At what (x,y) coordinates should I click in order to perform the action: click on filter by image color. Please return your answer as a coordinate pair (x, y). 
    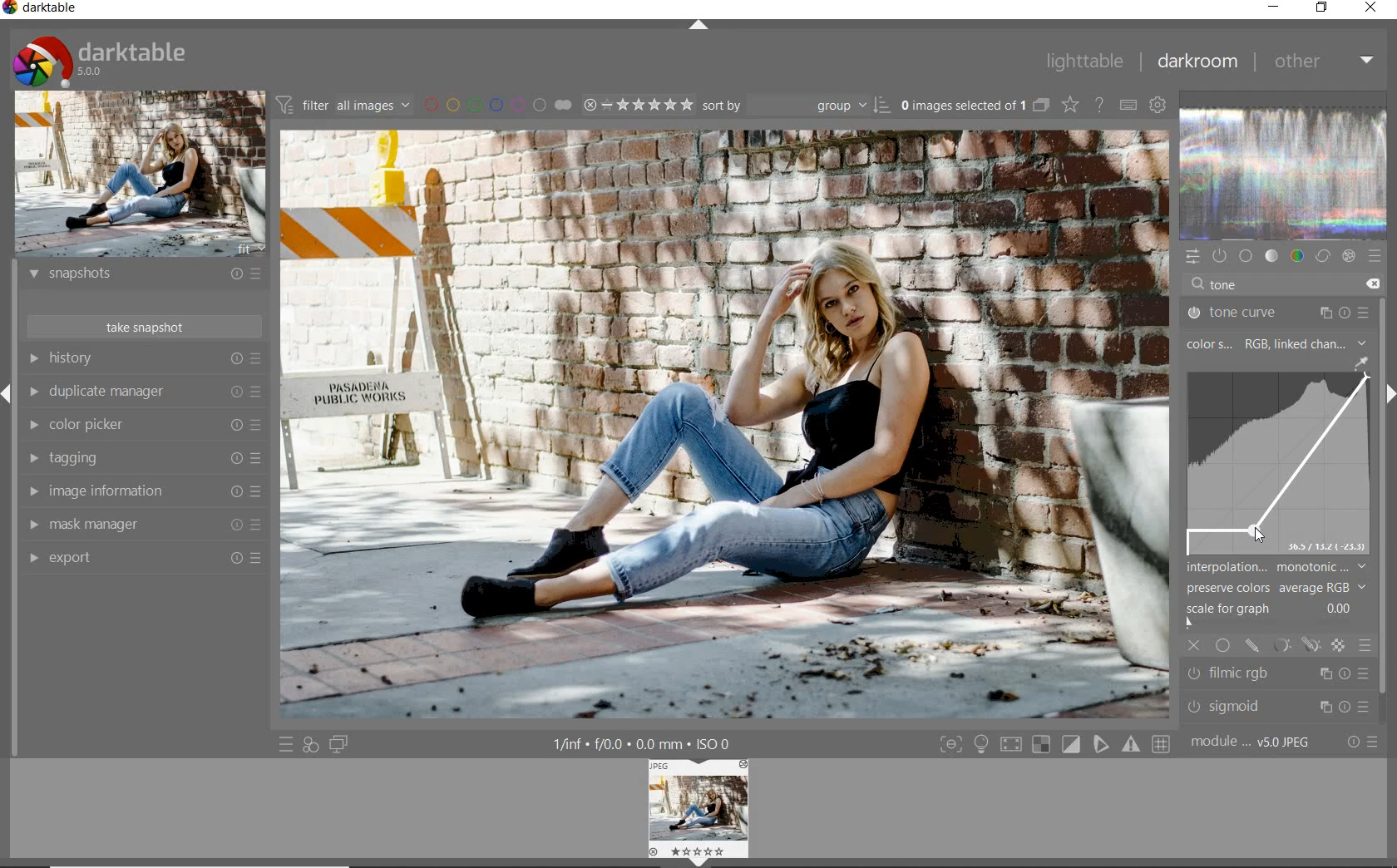
    Looking at the image, I should click on (501, 106).